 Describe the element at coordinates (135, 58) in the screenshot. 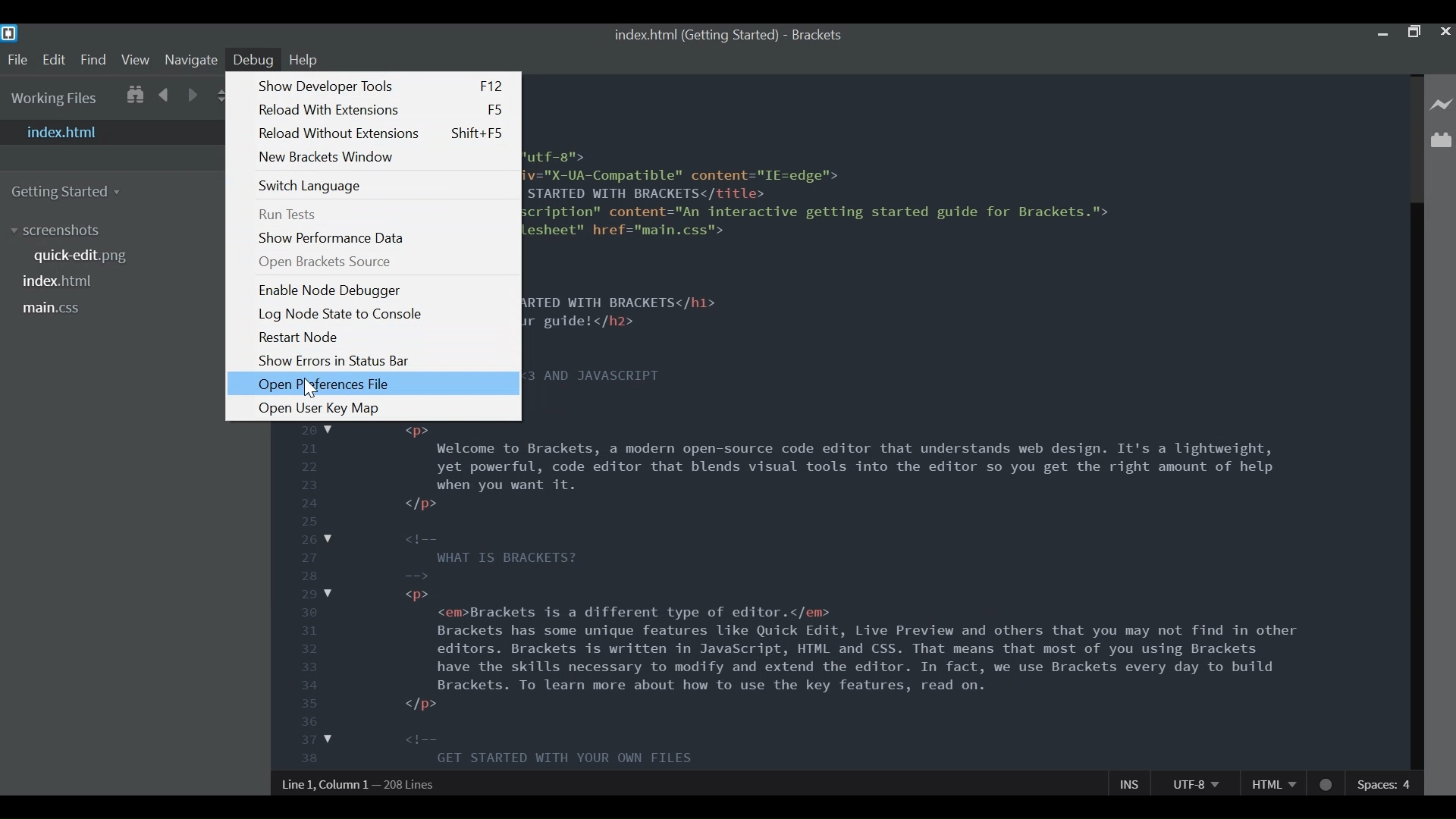

I see `View` at that location.